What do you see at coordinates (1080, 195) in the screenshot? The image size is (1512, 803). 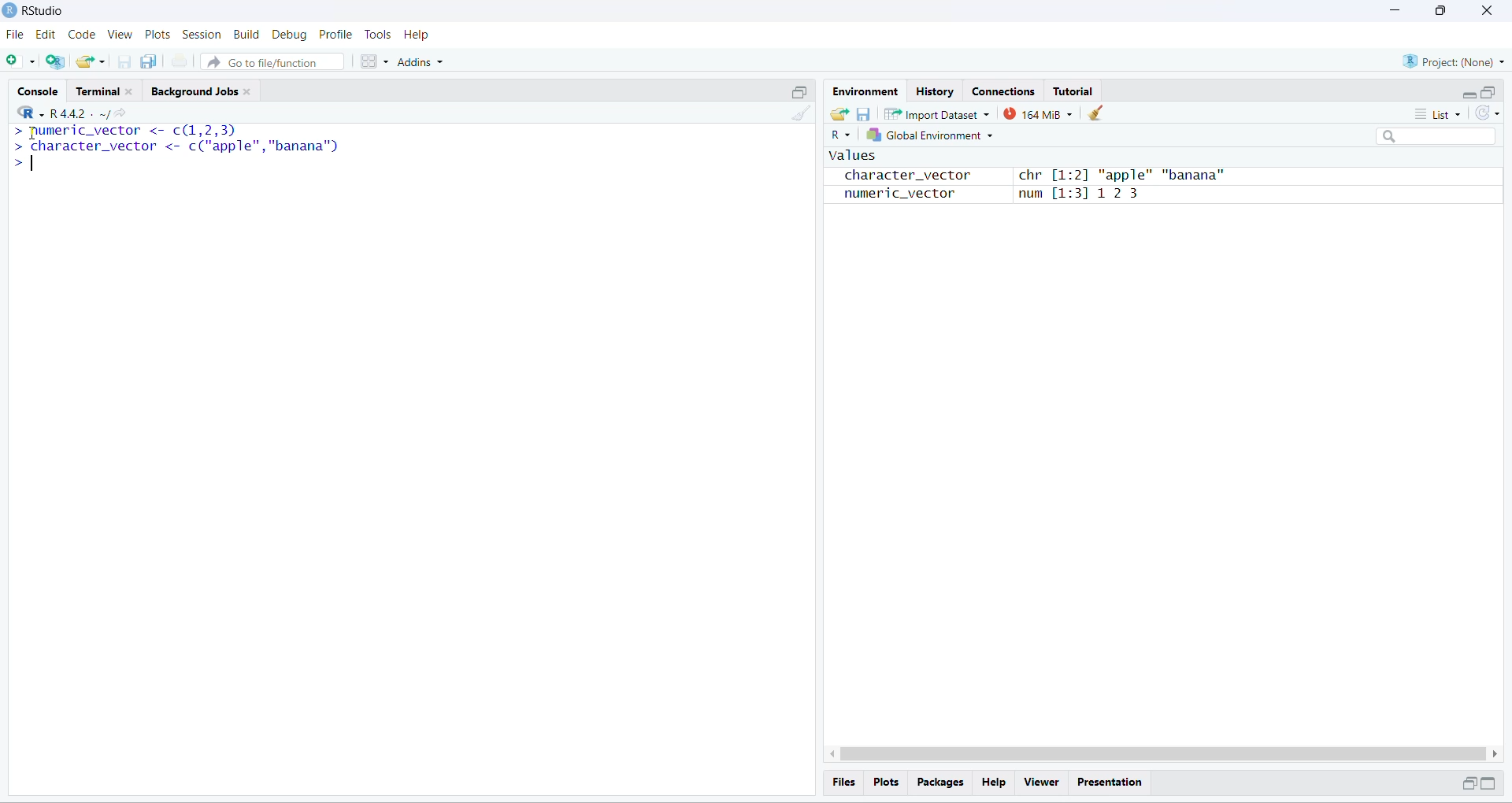 I see `num [1:31 12 3` at bounding box center [1080, 195].